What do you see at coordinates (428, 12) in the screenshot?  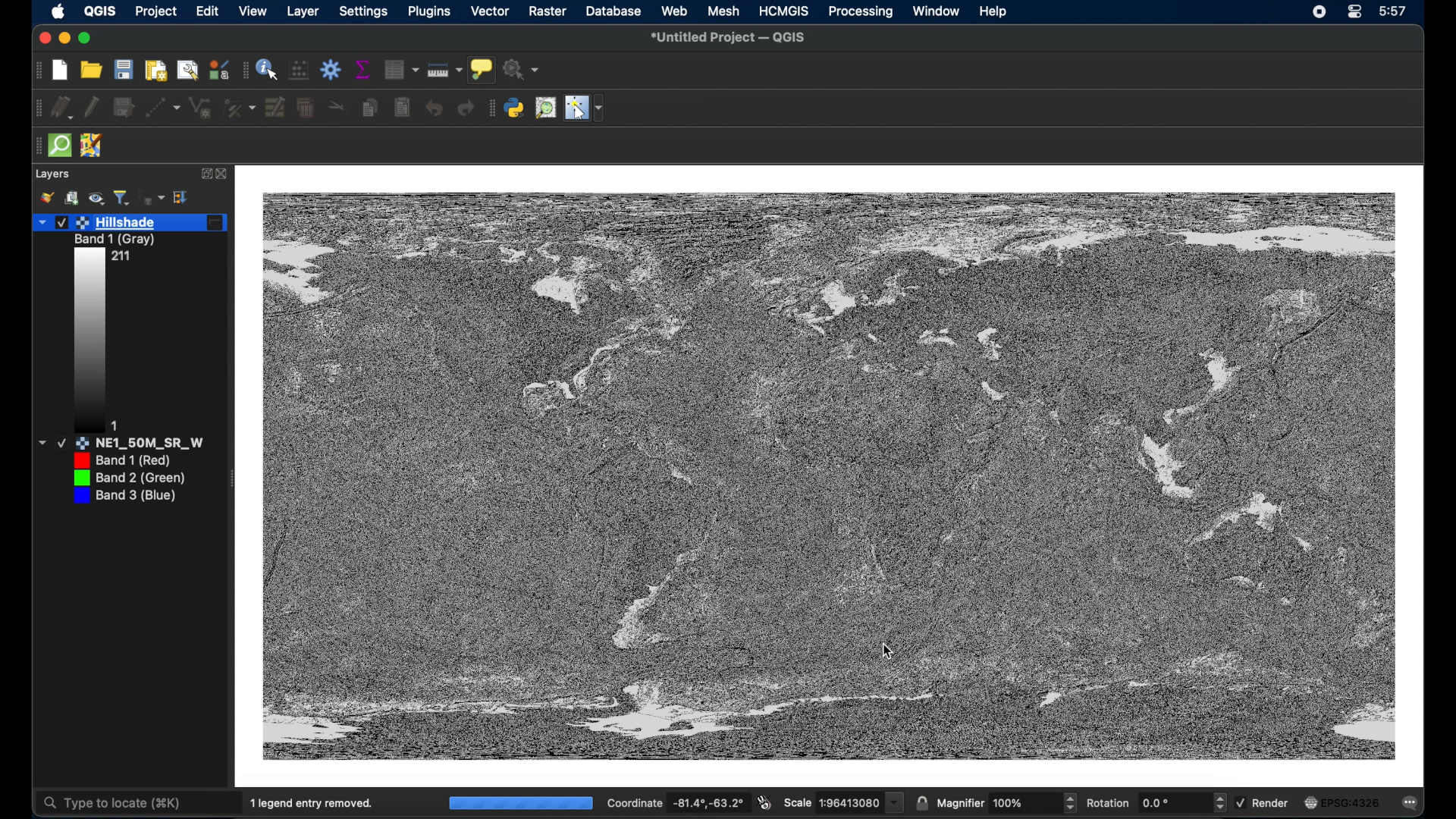 I see `plugins` at bounding box center [428, 12].